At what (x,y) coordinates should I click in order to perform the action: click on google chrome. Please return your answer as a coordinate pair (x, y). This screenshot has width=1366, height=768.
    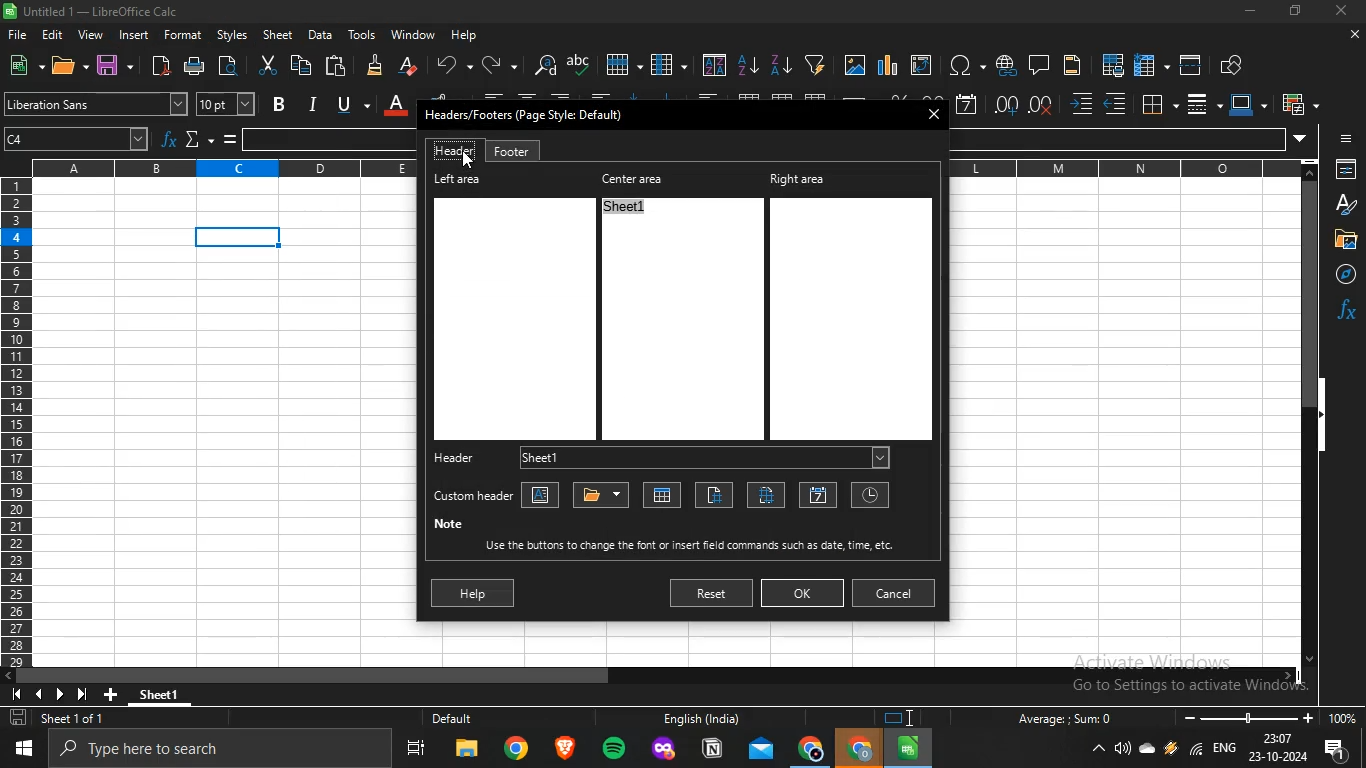
    Looking at the image, I should click on (860, 749).